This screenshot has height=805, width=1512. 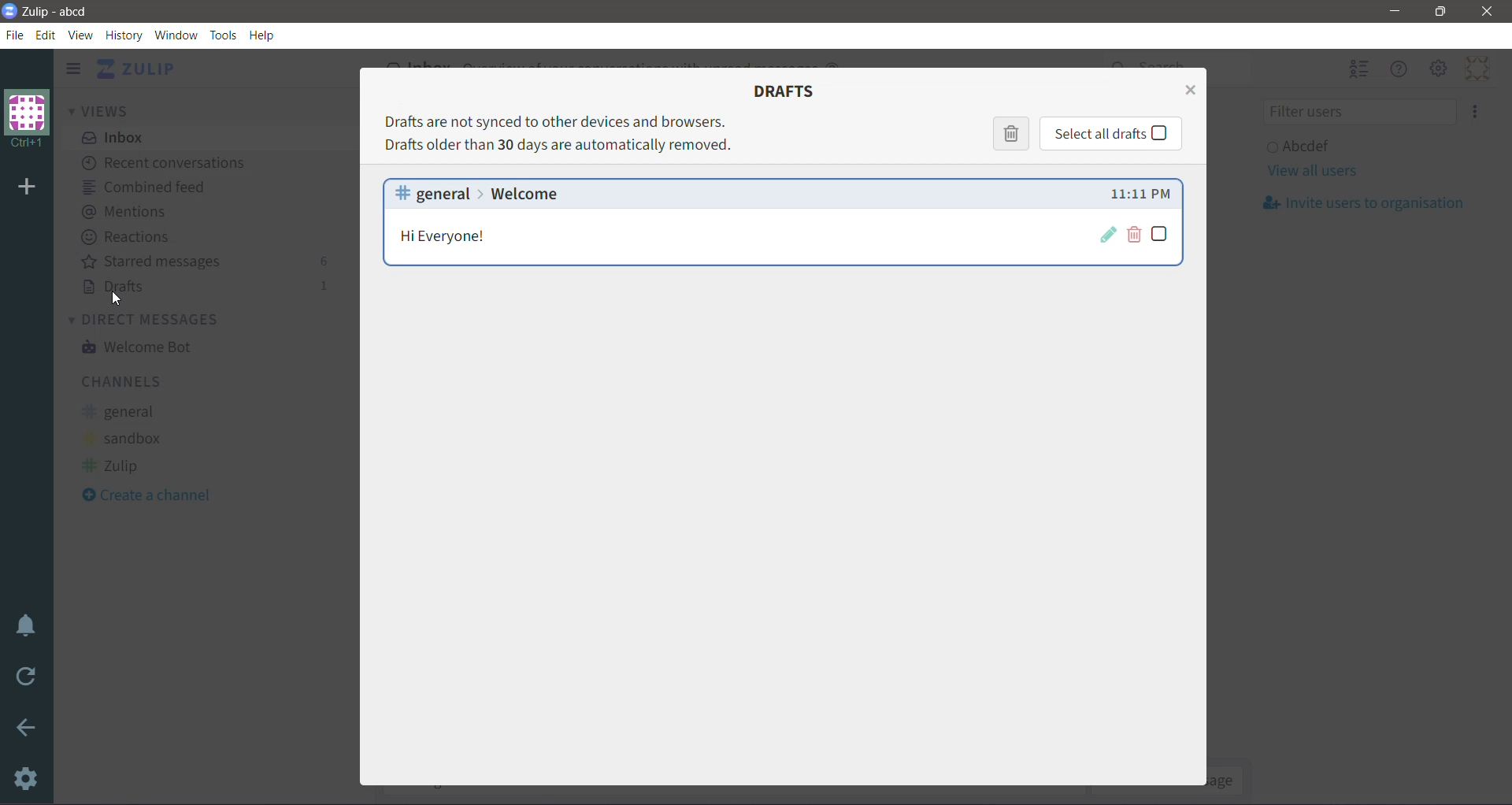 I want to click on Combined feed, so click(x=150, y=187).